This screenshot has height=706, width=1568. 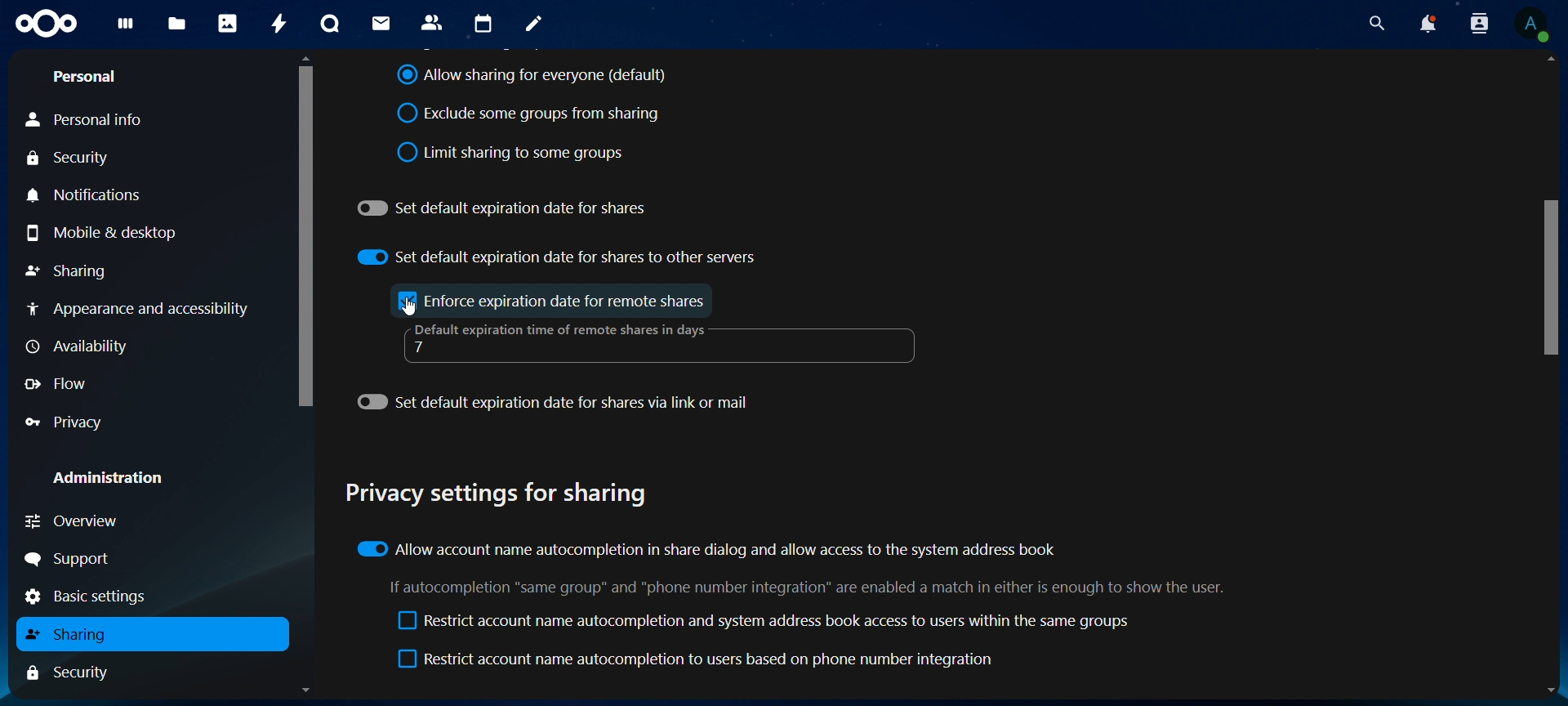 I want to click on files, so click(x=178, y=22).